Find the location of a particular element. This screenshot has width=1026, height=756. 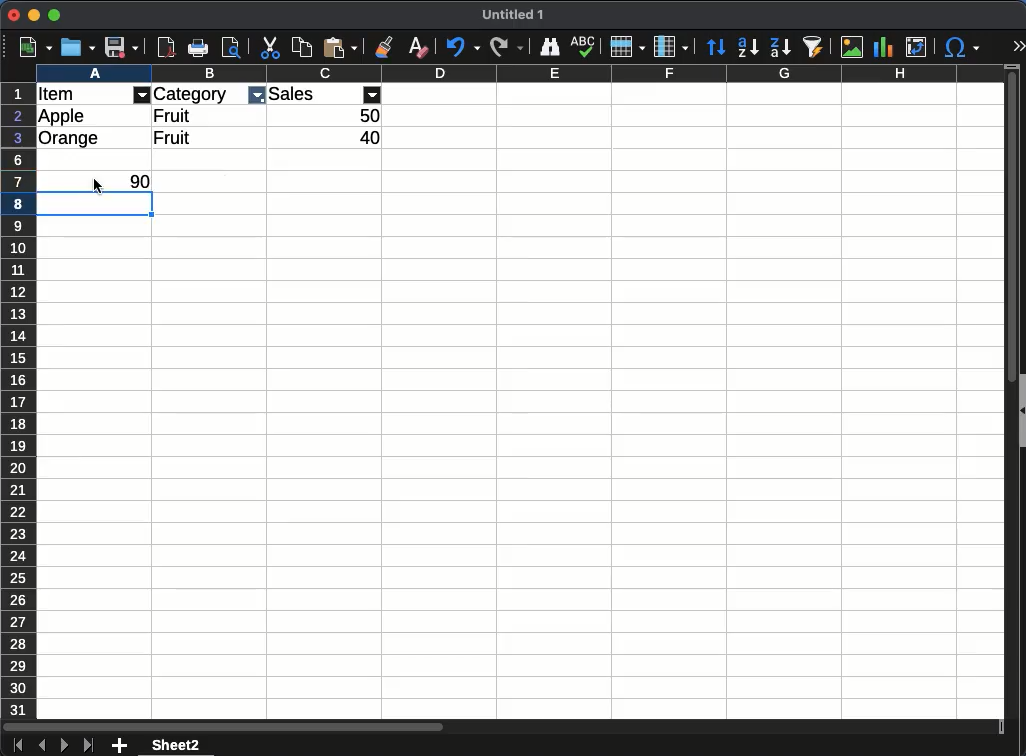

Apple is located at coordinates (63, 116).